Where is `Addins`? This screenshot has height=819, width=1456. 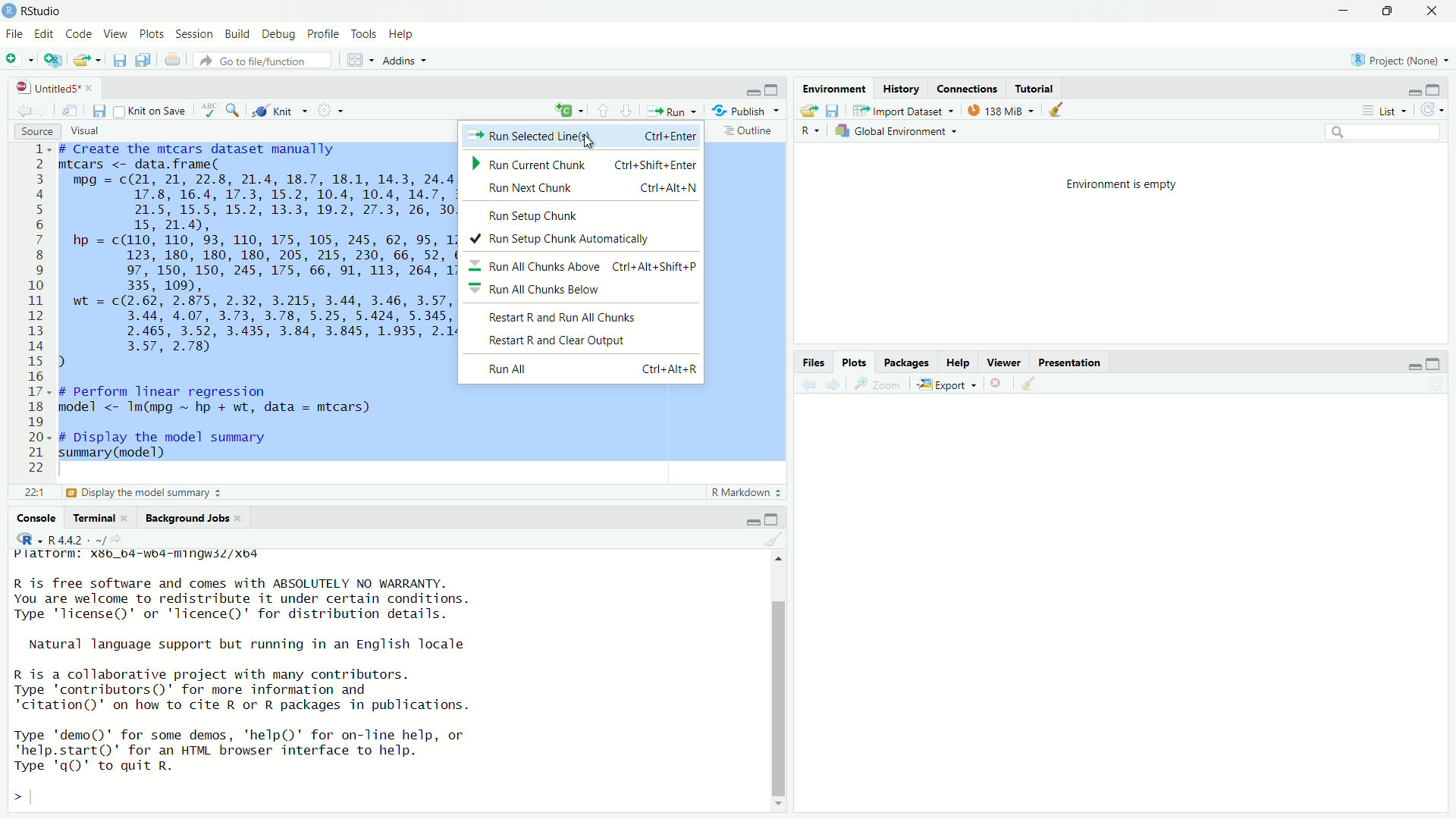
Addins is located at coordinates (400, 62).